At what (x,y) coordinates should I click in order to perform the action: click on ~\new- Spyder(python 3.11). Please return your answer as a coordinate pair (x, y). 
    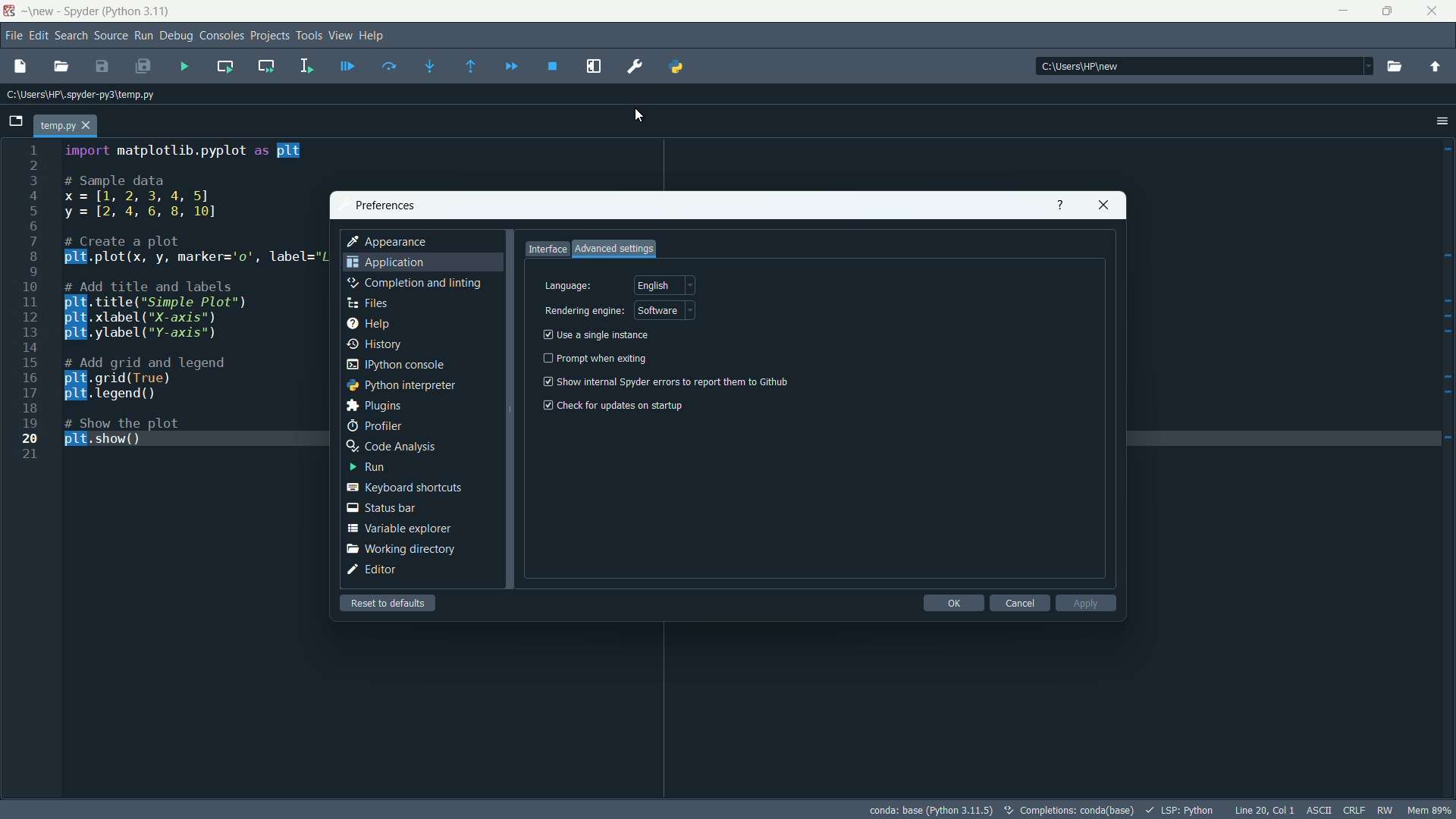
    Looking at the image, I should click on (137, 11).